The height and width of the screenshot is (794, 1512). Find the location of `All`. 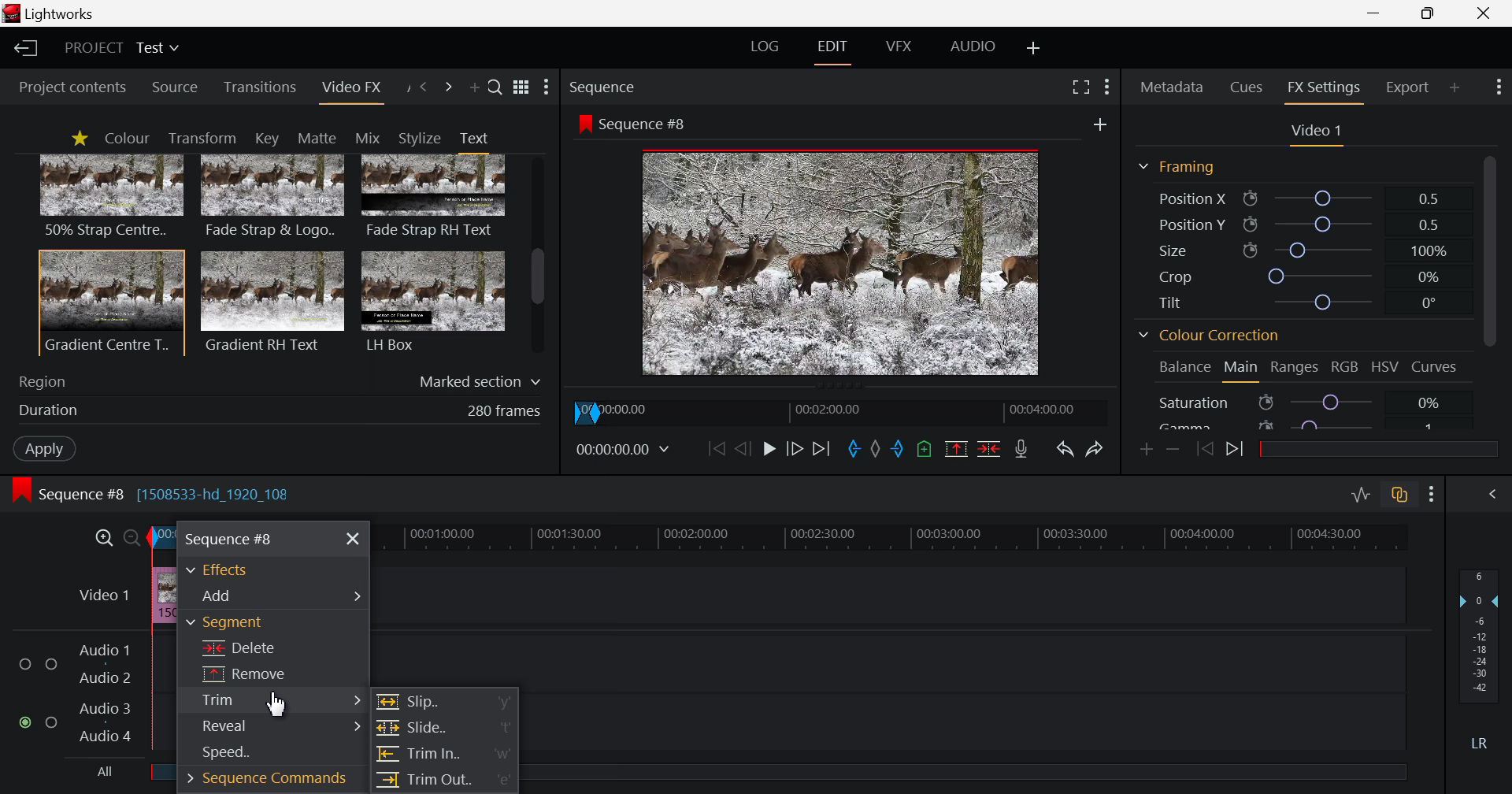

All is located at coordinates (94, 774).